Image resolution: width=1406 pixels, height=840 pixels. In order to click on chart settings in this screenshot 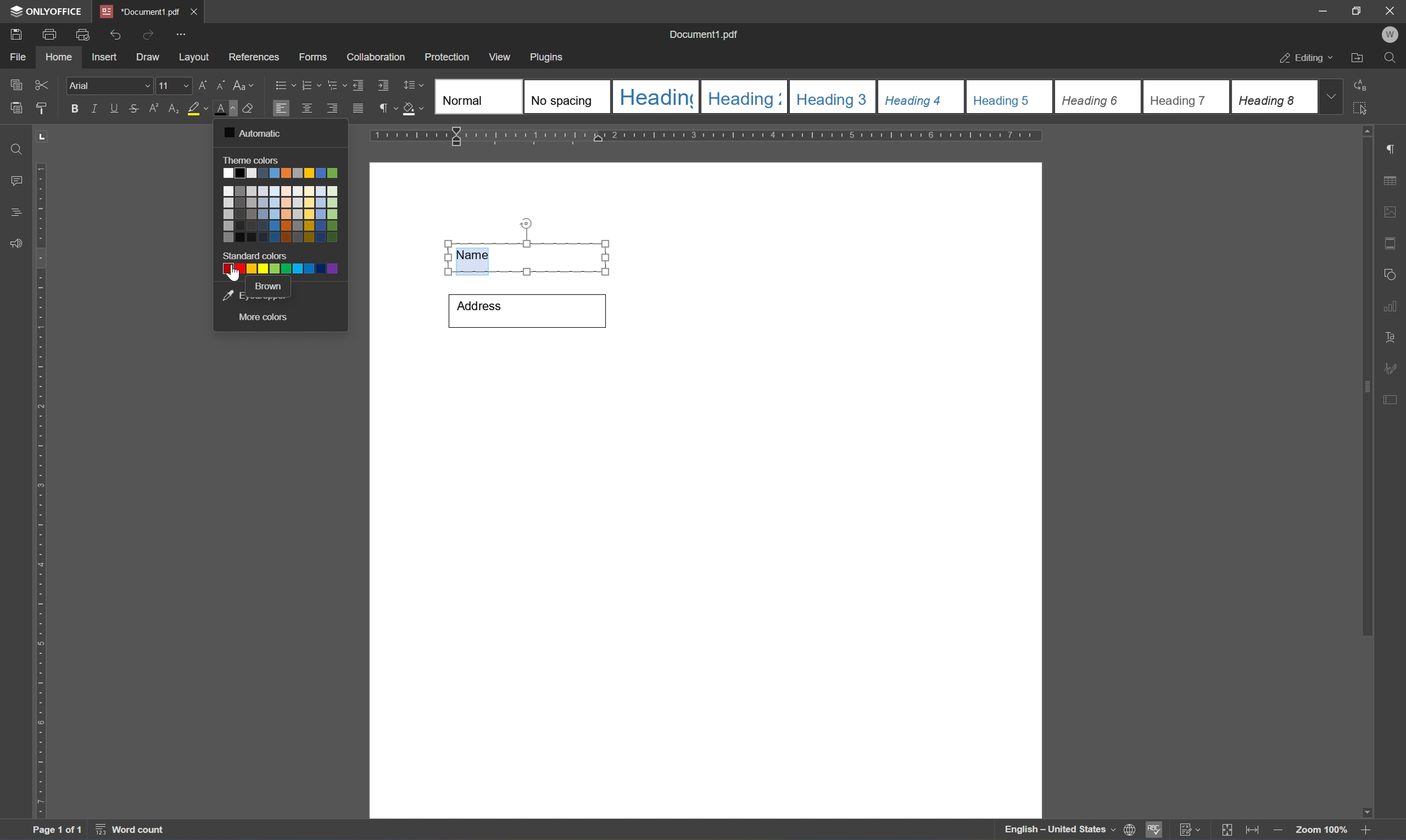, I will do `click(1393, 307)`.